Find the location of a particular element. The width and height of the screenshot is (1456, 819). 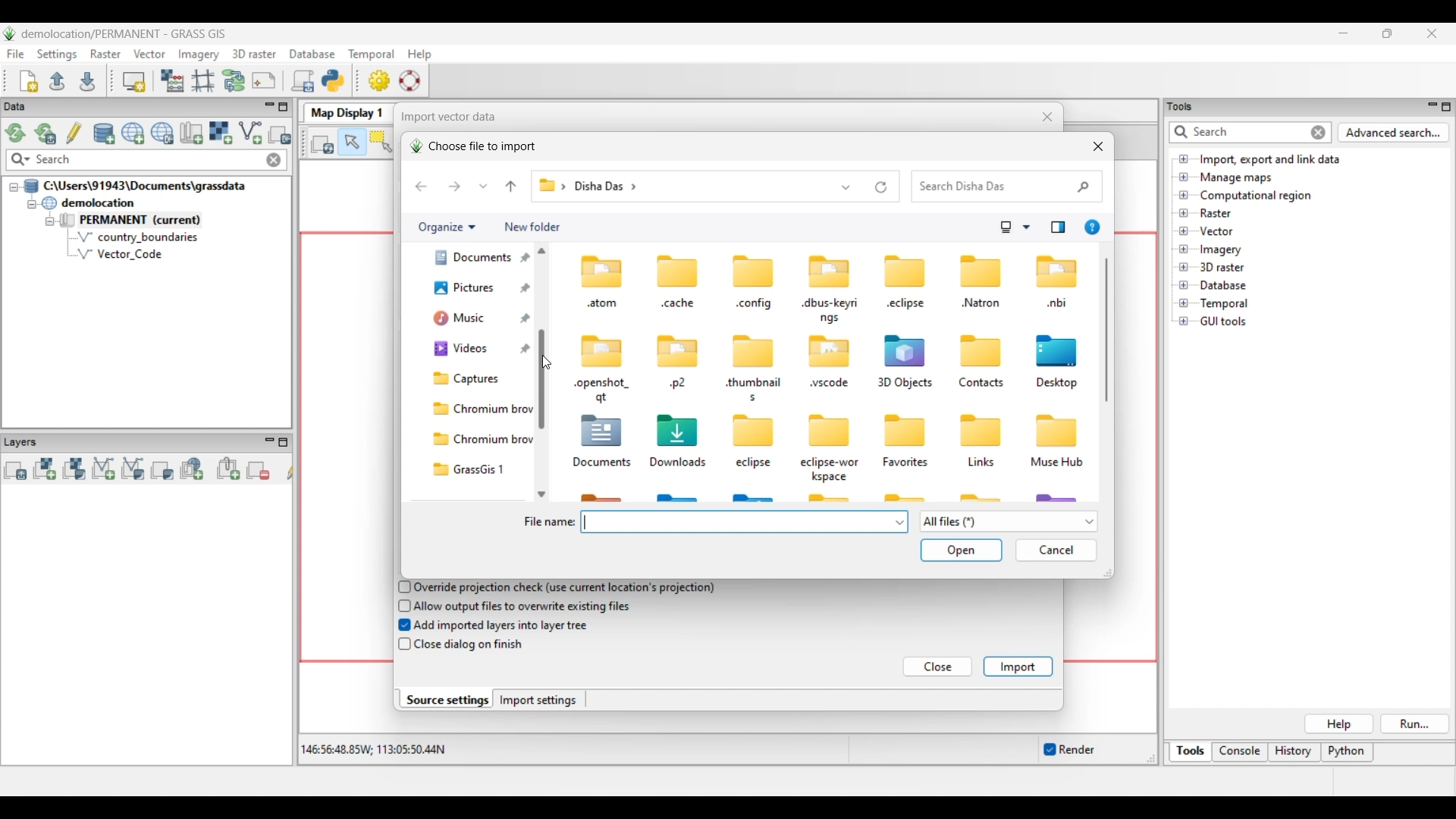

Source settings, current selection is located at coordinates (446, 699).